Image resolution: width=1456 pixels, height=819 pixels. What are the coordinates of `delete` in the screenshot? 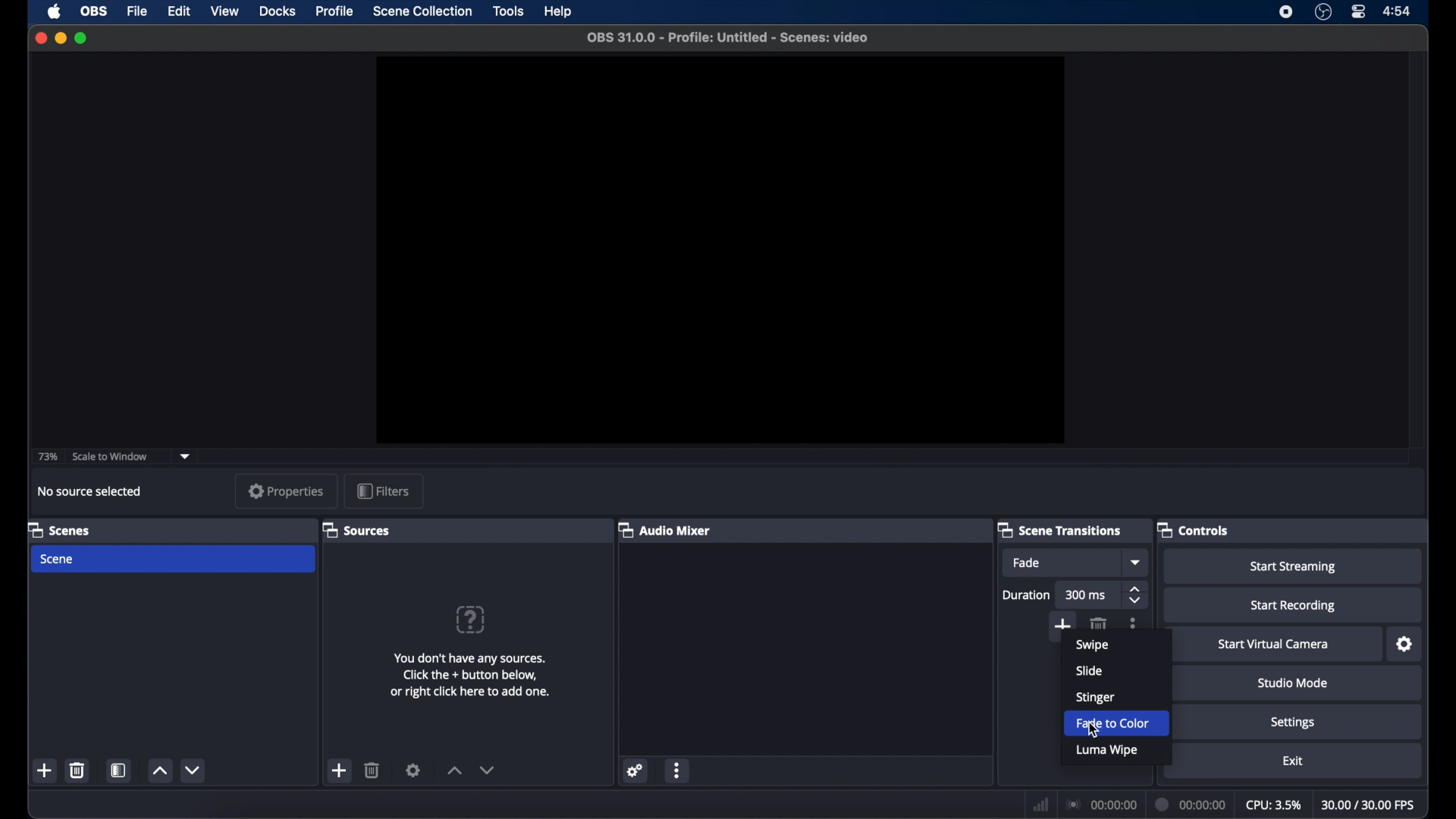 It's located at (77, 770).